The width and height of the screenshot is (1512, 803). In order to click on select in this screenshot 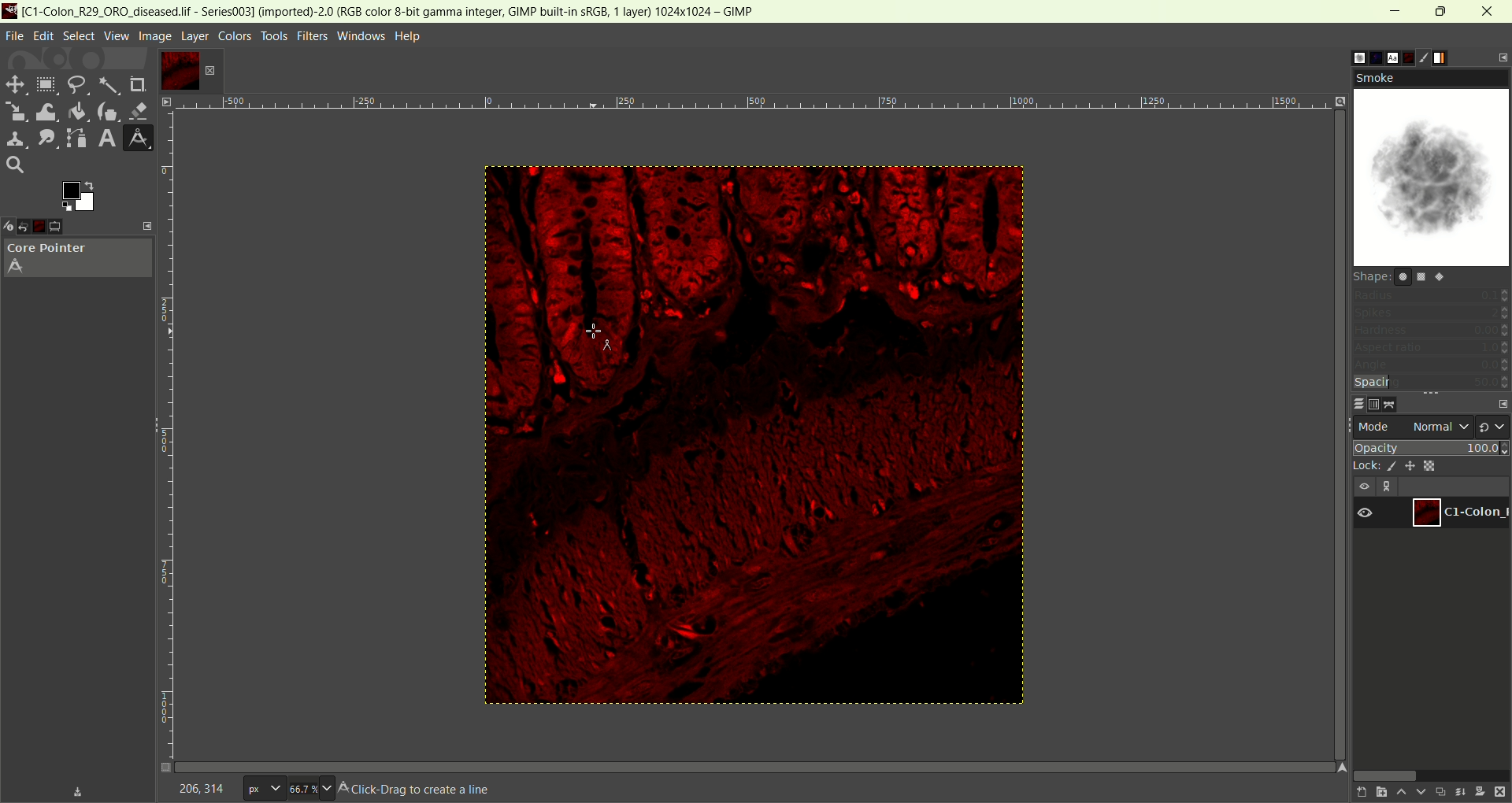, I will do `click(78, 36)`.